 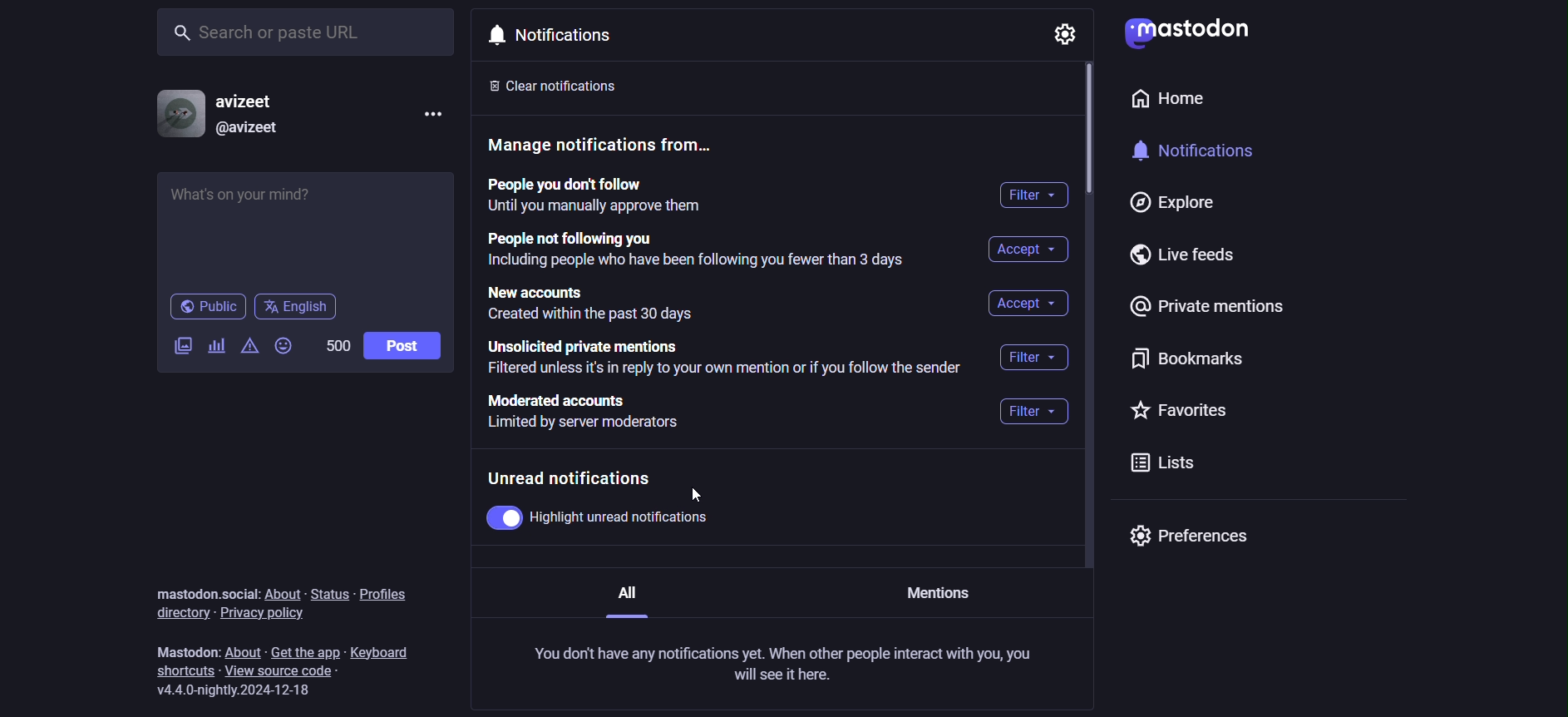 I want to click on view source code, so click(x=294, y=670).